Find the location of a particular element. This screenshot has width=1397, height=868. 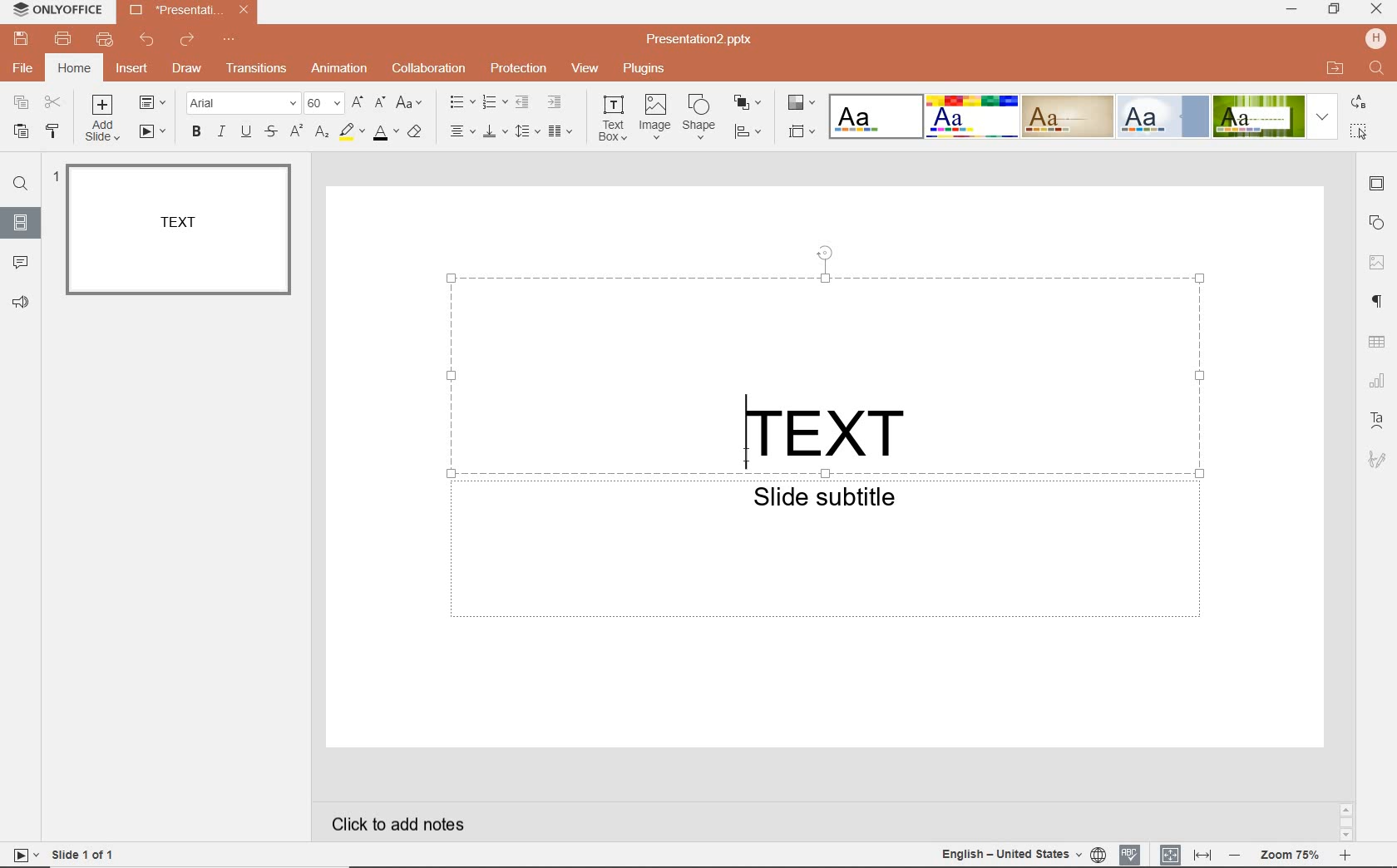

CUSTOMIZE QUICK ACCESS TOOLBAR is located at coordinates (228, 42).